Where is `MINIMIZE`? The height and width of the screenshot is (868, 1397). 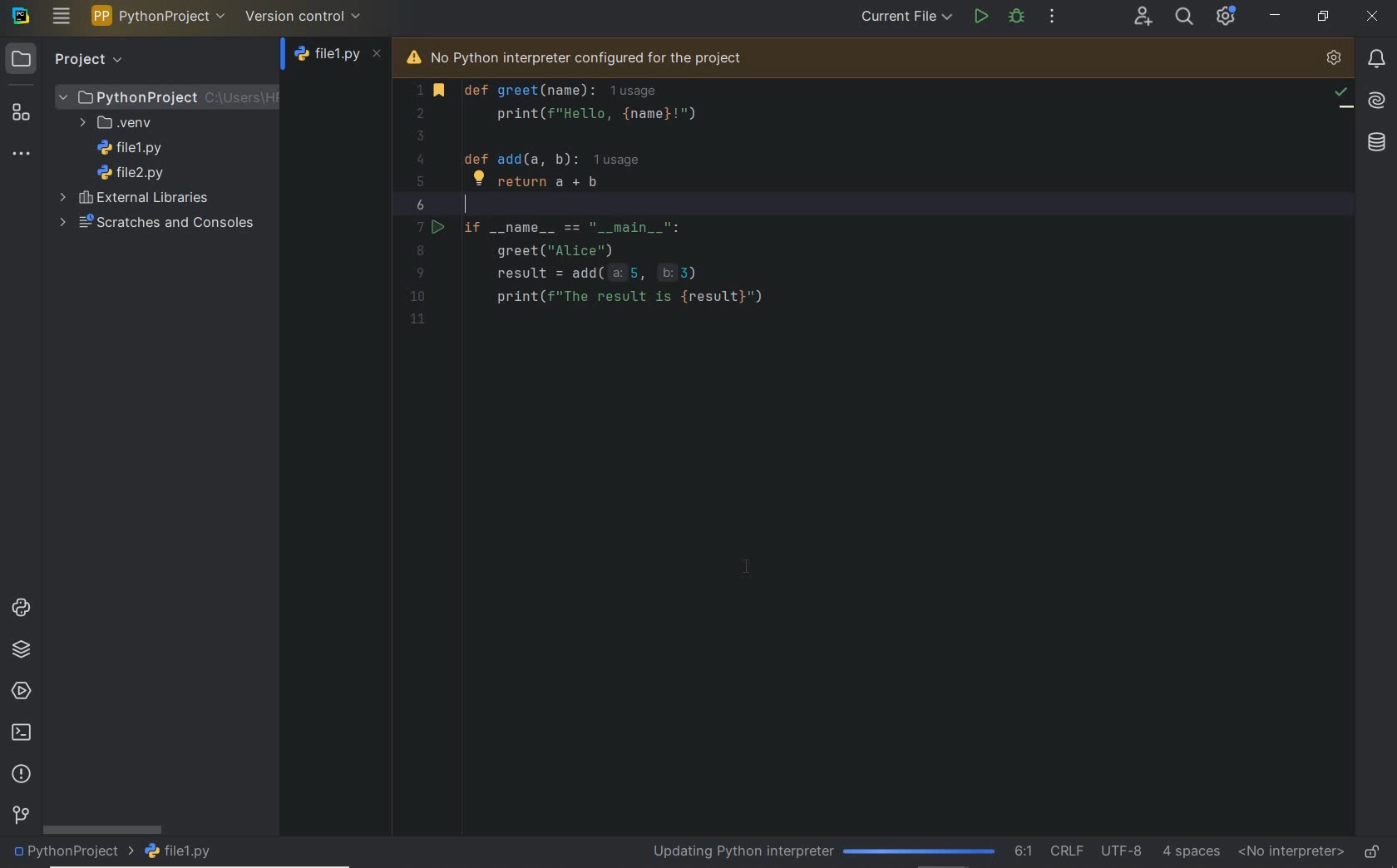 MINIMIZE is located at coordinates (1276, 15).